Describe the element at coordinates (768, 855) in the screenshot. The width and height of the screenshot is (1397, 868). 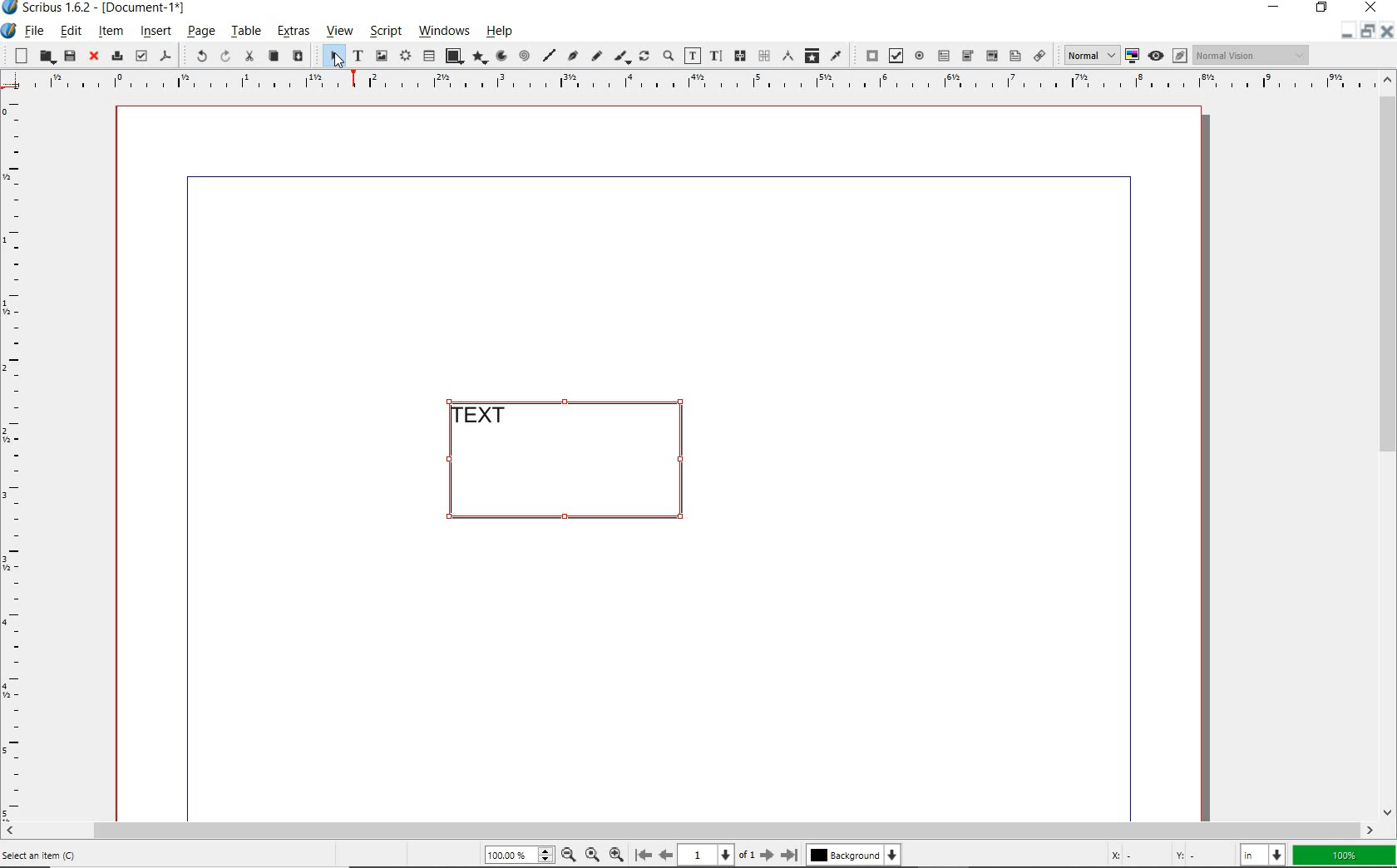
I see `Next Page` at that location.